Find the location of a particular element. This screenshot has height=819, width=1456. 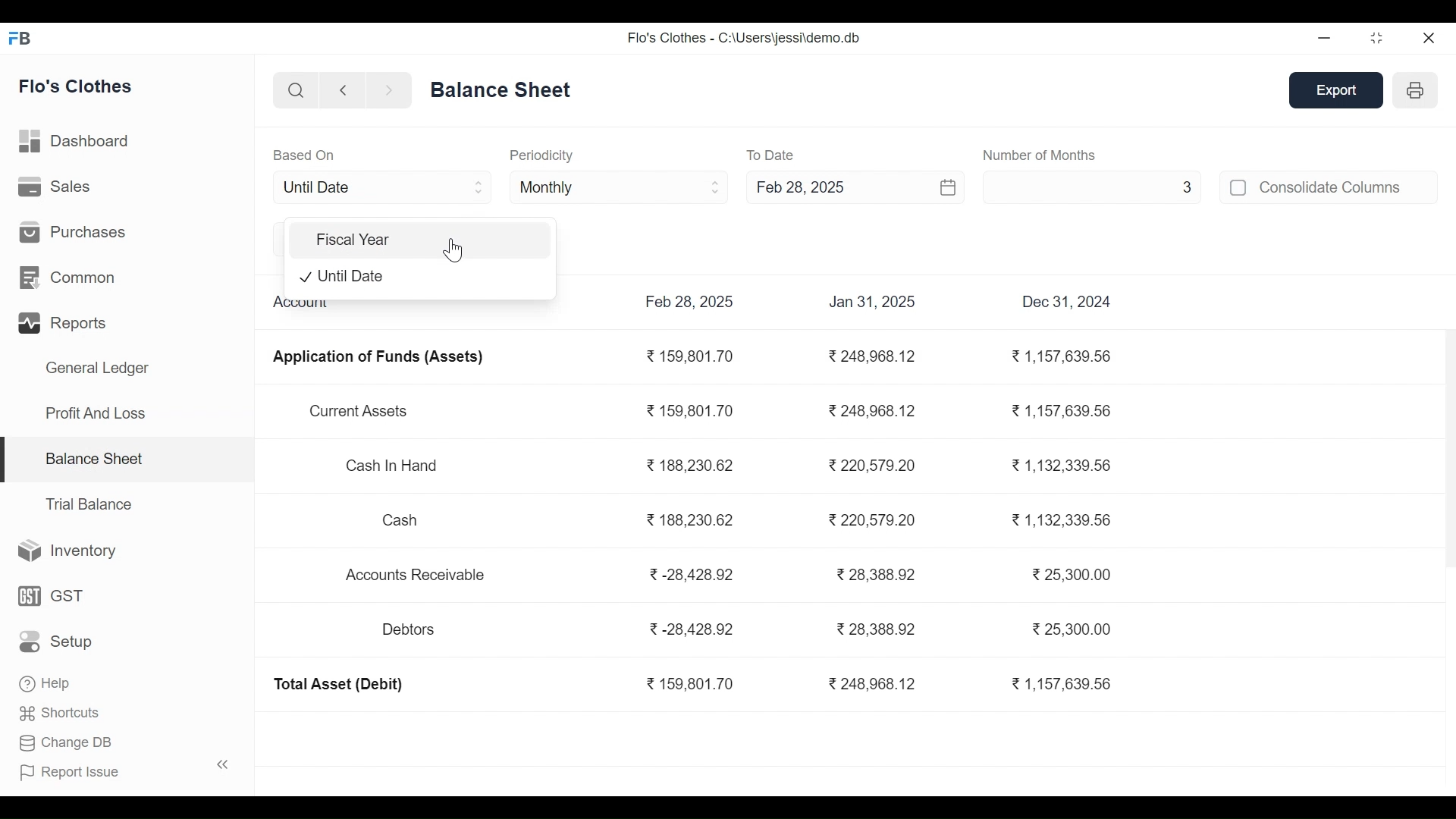

Jan 31, 2025 is located at coordinates (872, 301).